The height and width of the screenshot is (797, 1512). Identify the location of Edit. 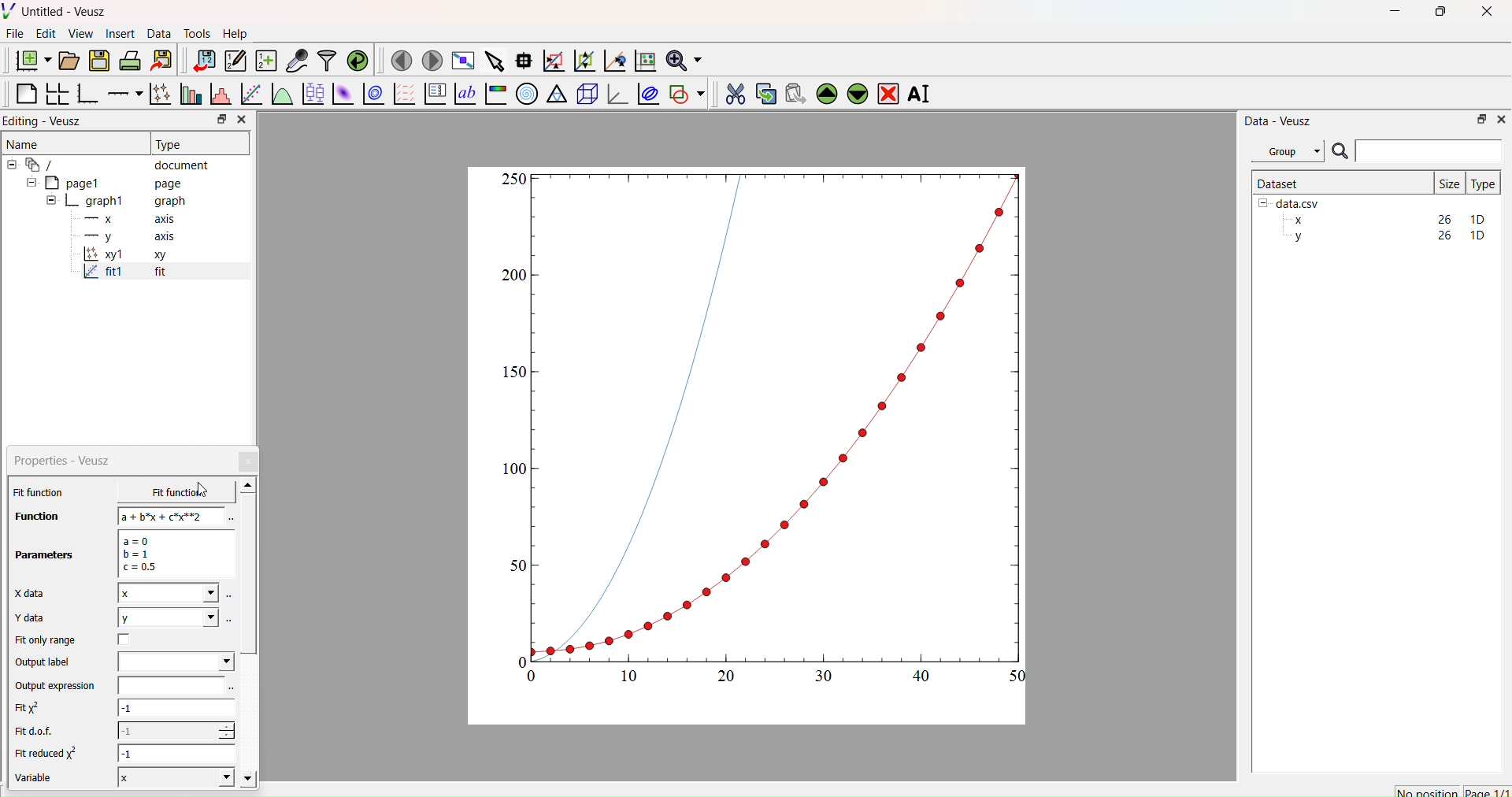
(44, 33).